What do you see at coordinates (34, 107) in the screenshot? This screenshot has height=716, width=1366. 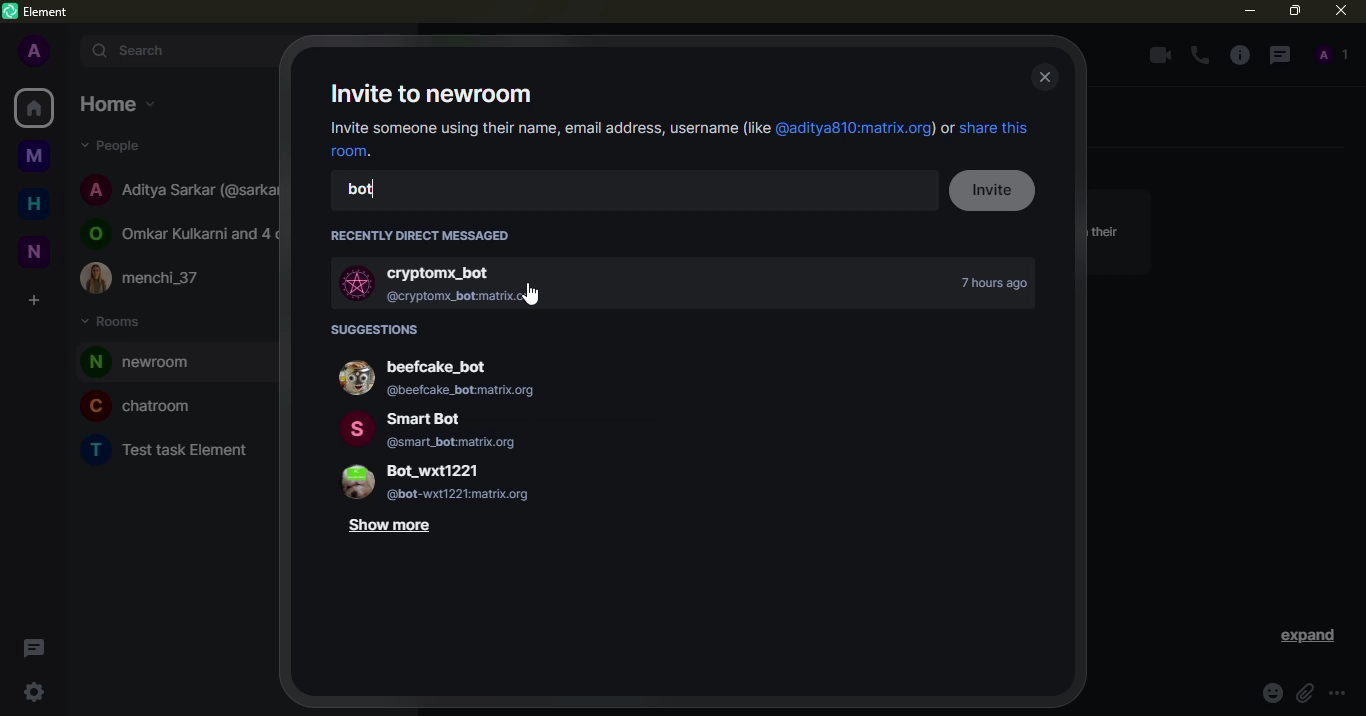 I see `home` at bounding box center [34, 107].